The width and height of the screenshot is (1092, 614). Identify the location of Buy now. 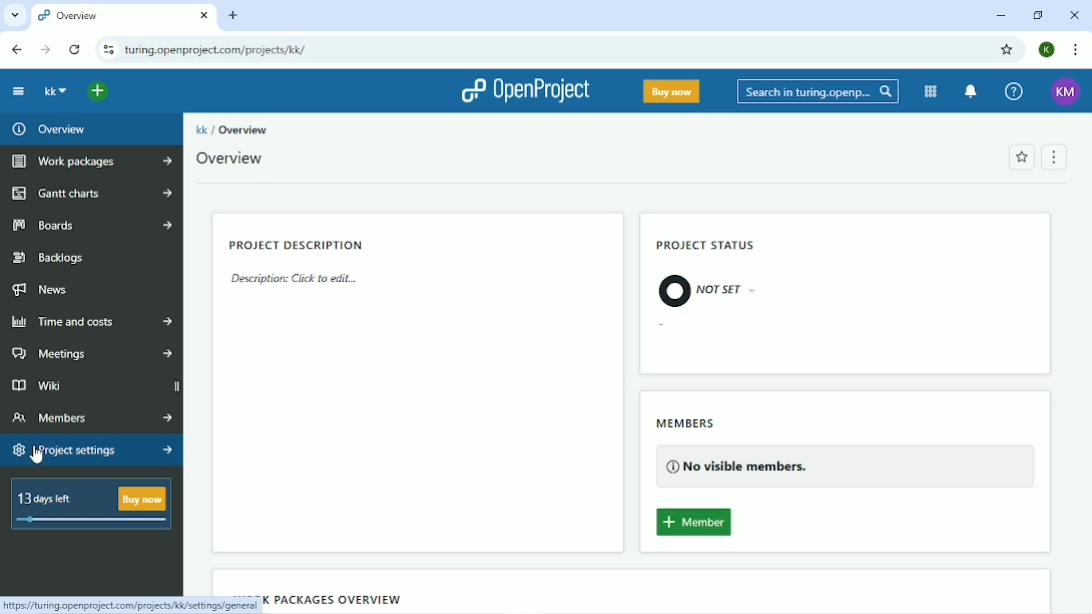
(670, 93).